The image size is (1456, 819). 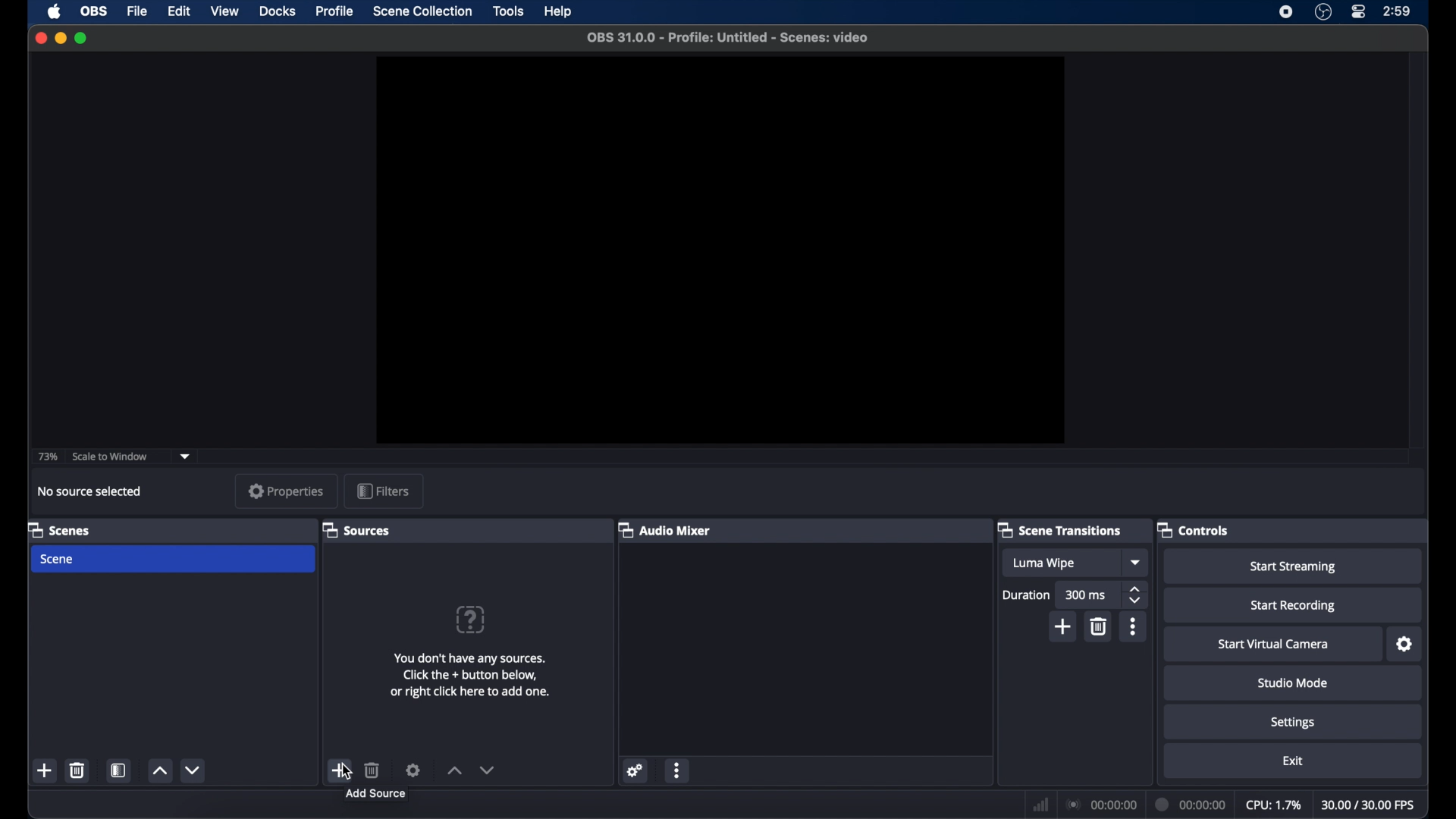 What do you see at coordinates (422, 11) in the screenshot?
I see `scene collection` at bounding box center [422, 11].